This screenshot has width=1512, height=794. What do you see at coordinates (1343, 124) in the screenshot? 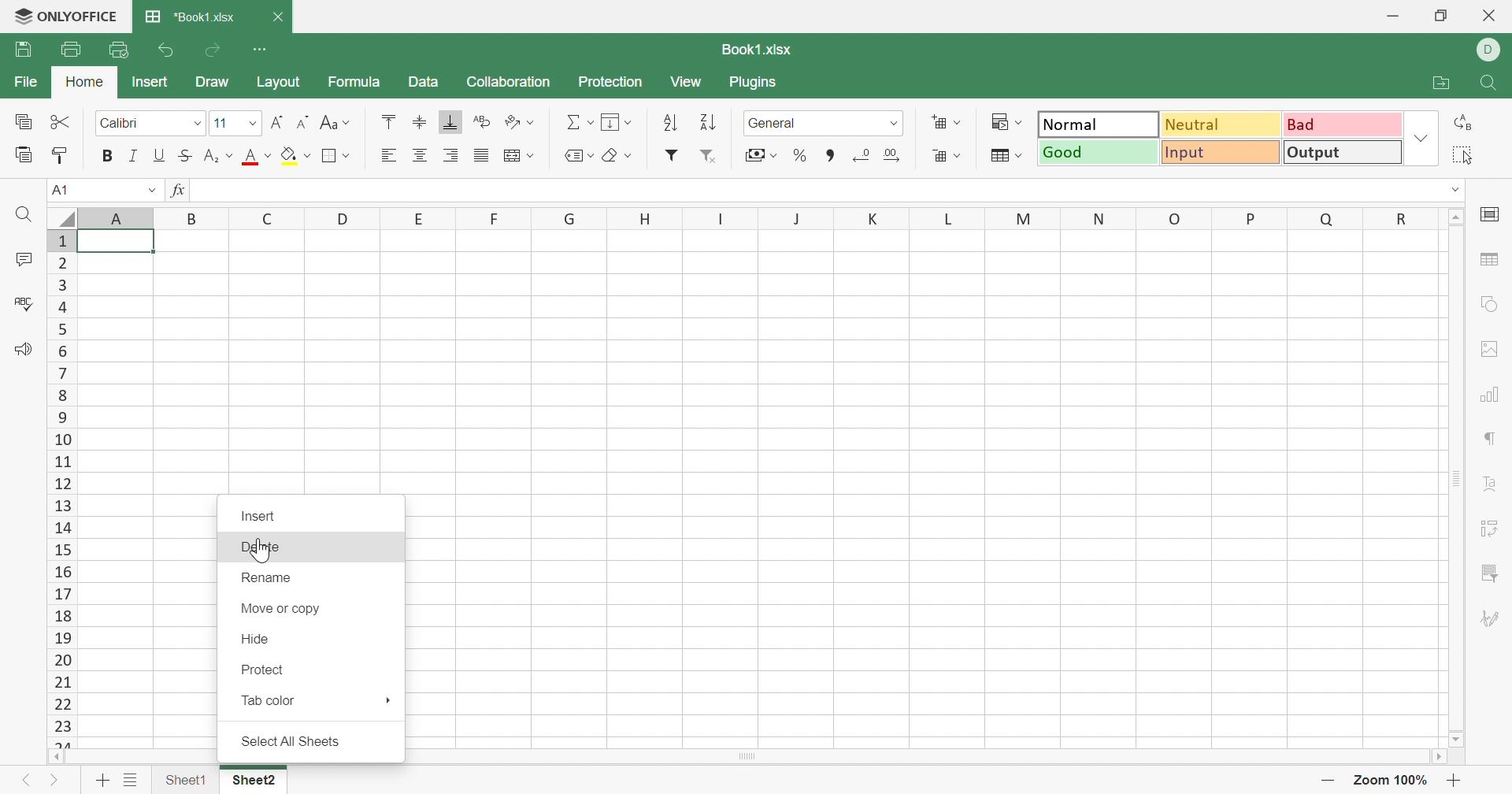
I see `Bad` at bounding box center [1343, 124].